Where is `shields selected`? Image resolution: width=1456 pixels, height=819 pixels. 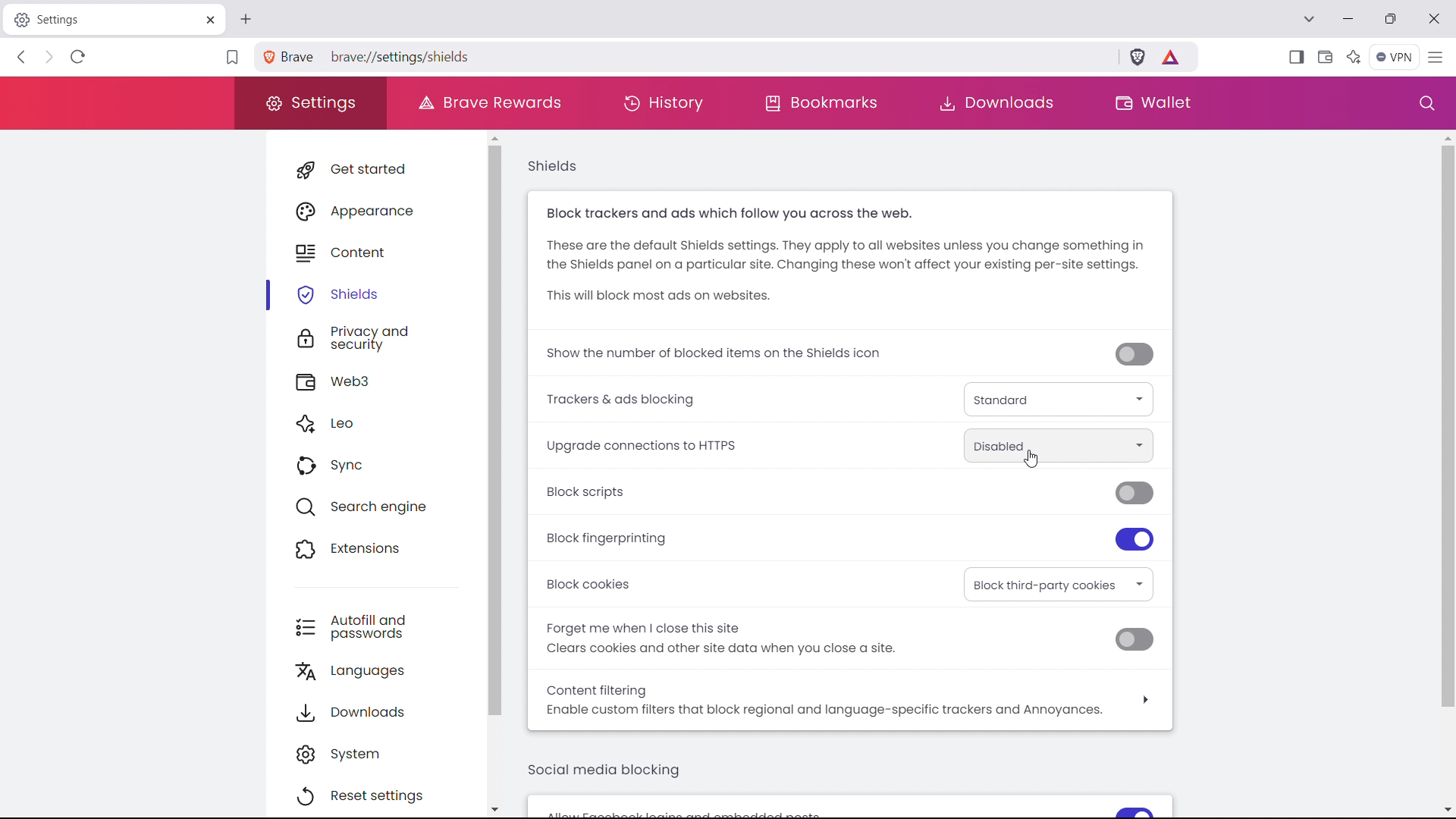
shields selected is located at coordinates (372, 295).